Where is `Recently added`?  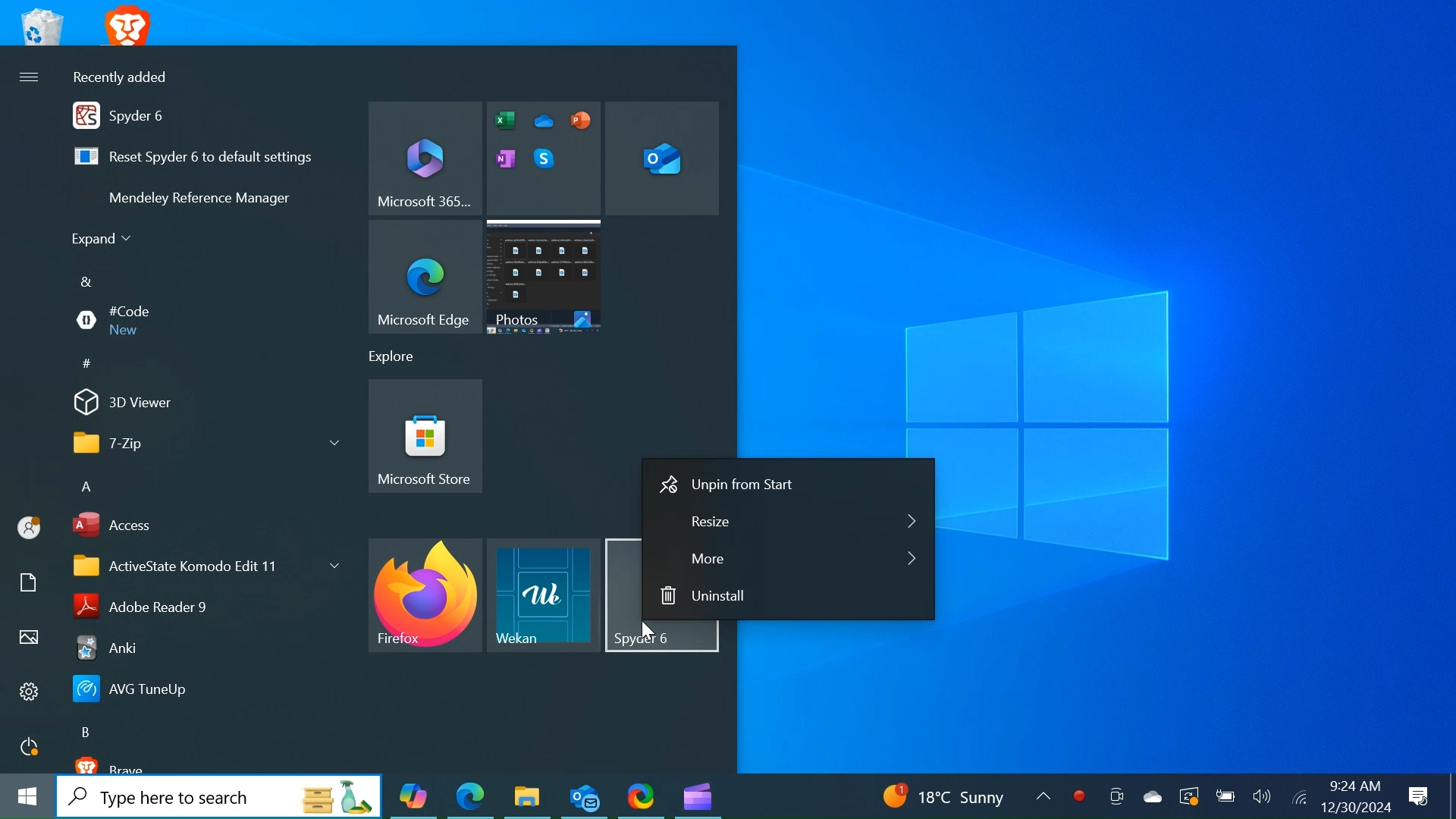
Recently added is located at coordinates (130, 77).